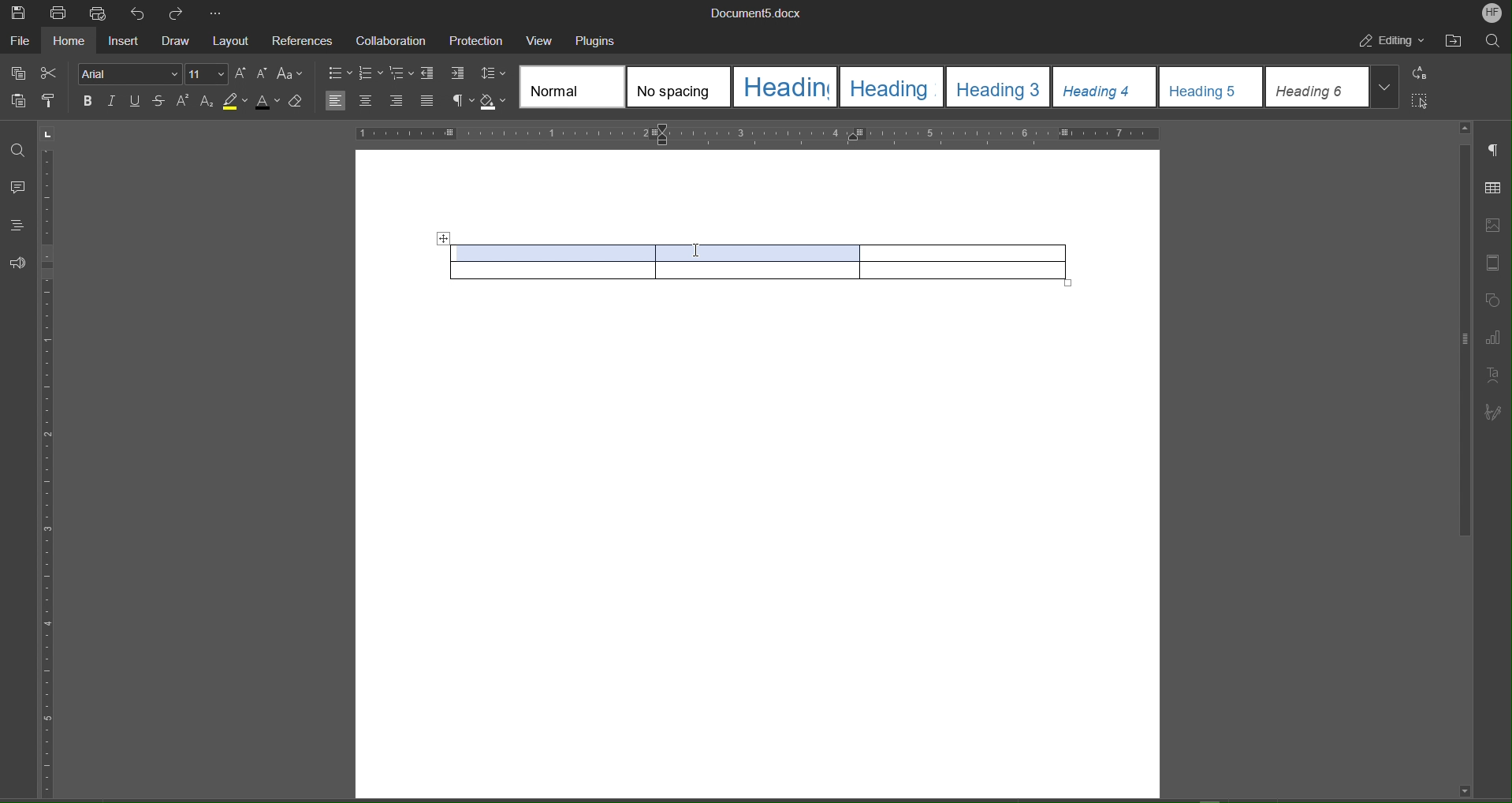 The height and width of the screenshot is (803, 1512). Describe the element at coordinates (298, 101) in the screenshot. I see `Erase Style` at that location.